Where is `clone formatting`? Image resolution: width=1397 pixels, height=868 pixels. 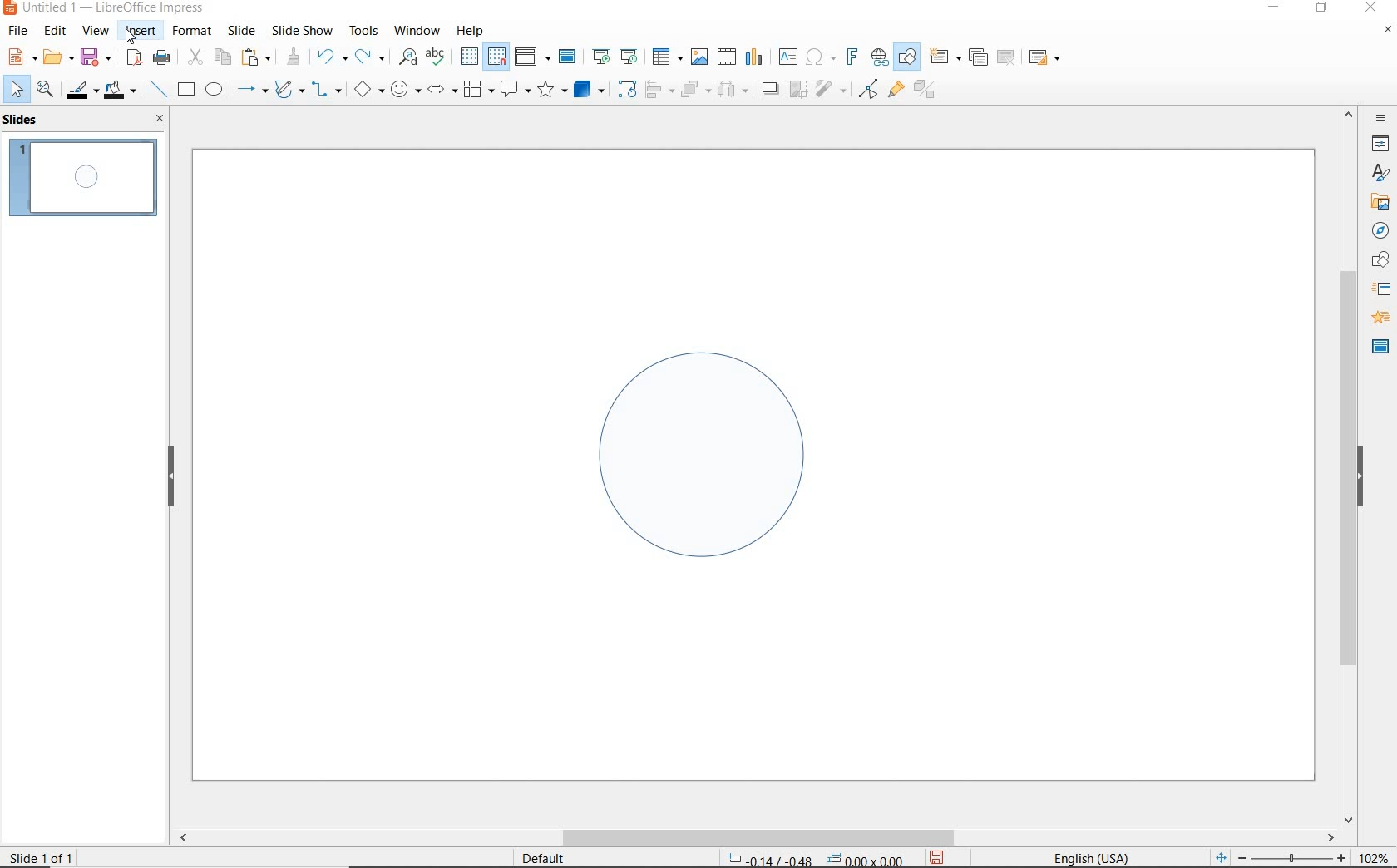
clone formatting is located at coordinates (294, 57).